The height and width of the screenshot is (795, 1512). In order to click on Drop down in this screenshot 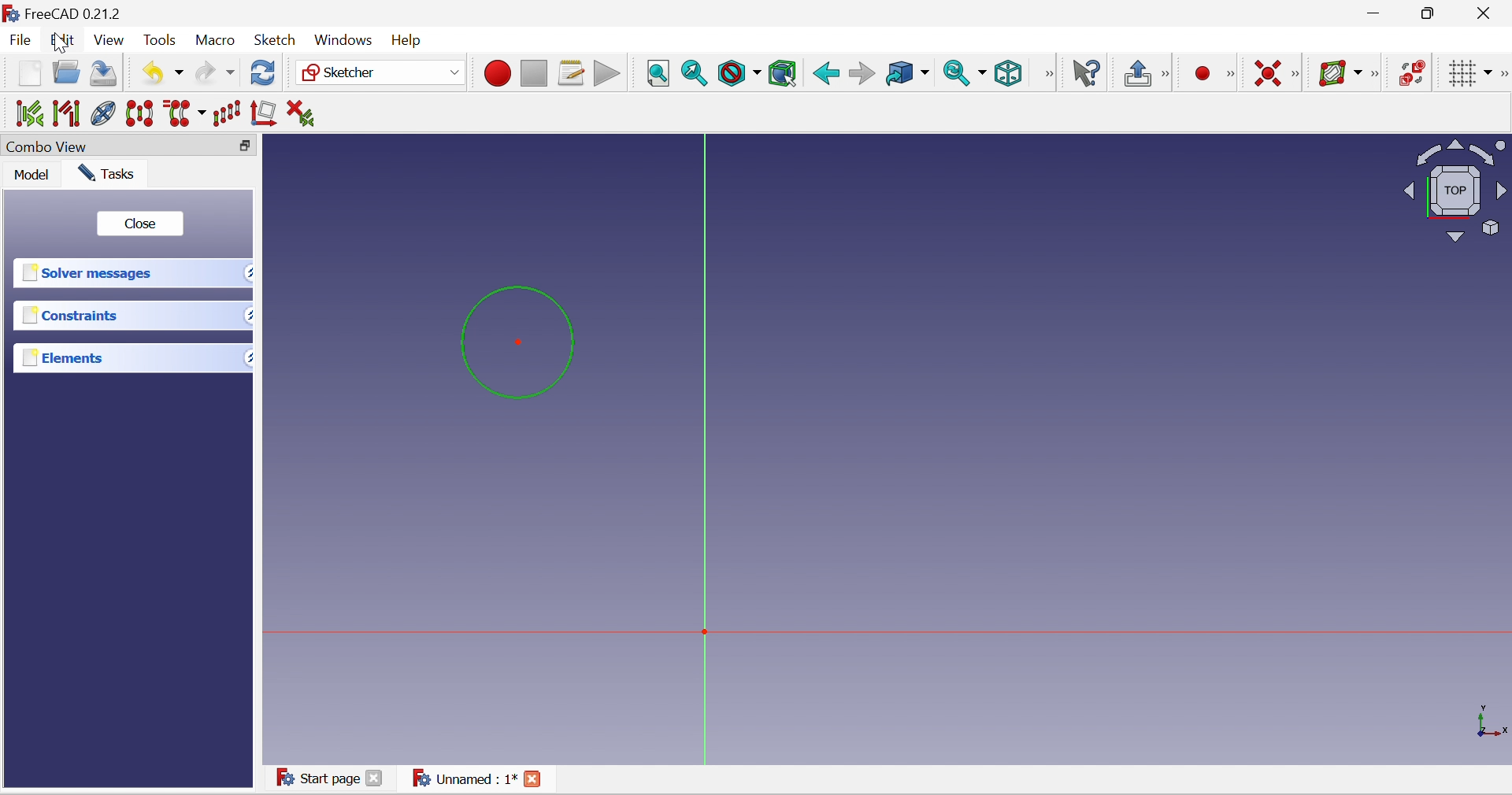, I will do `click(249, 312)`.